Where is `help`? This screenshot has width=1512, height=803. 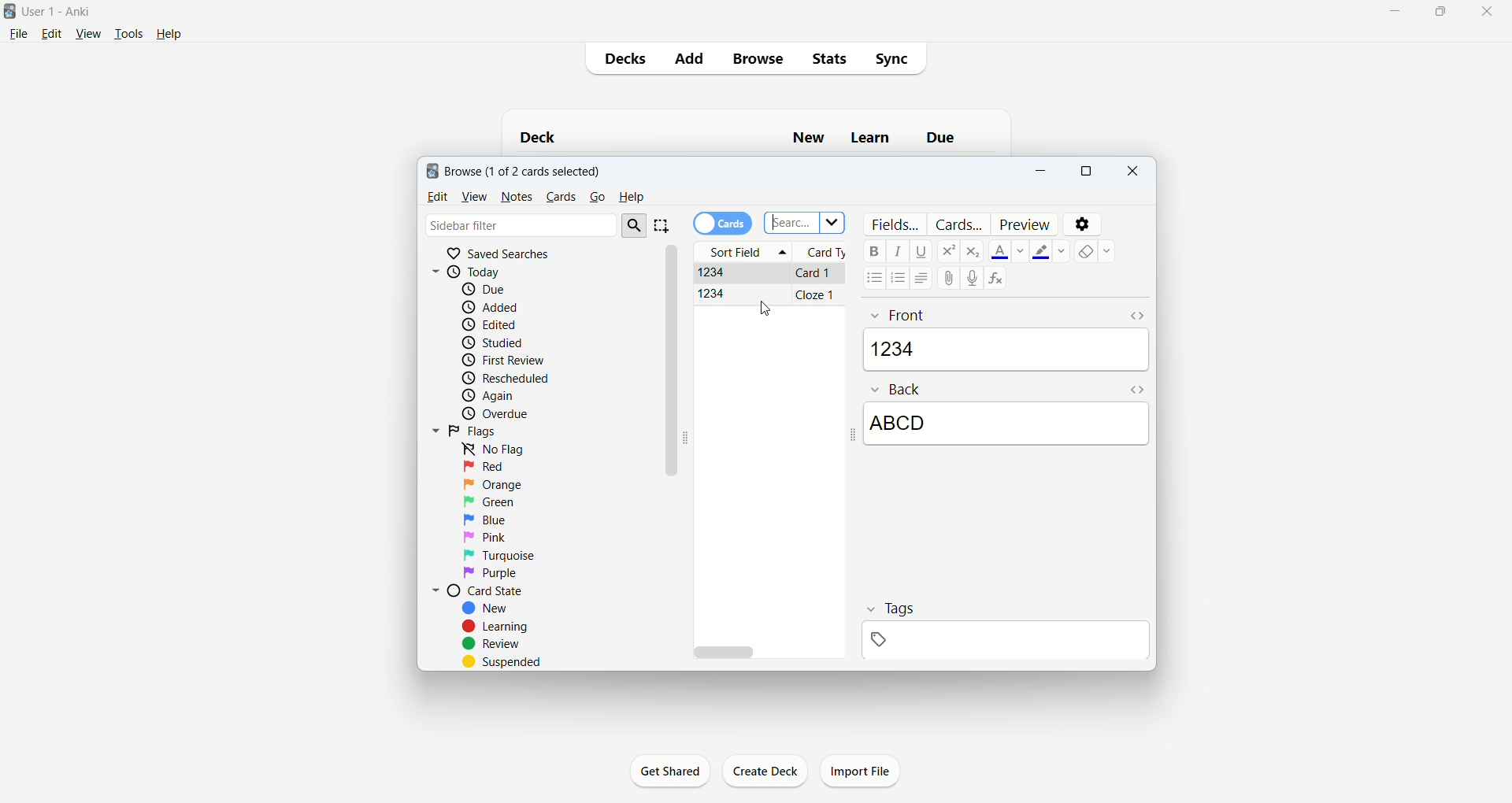 help is located at coordinates (632, 198).